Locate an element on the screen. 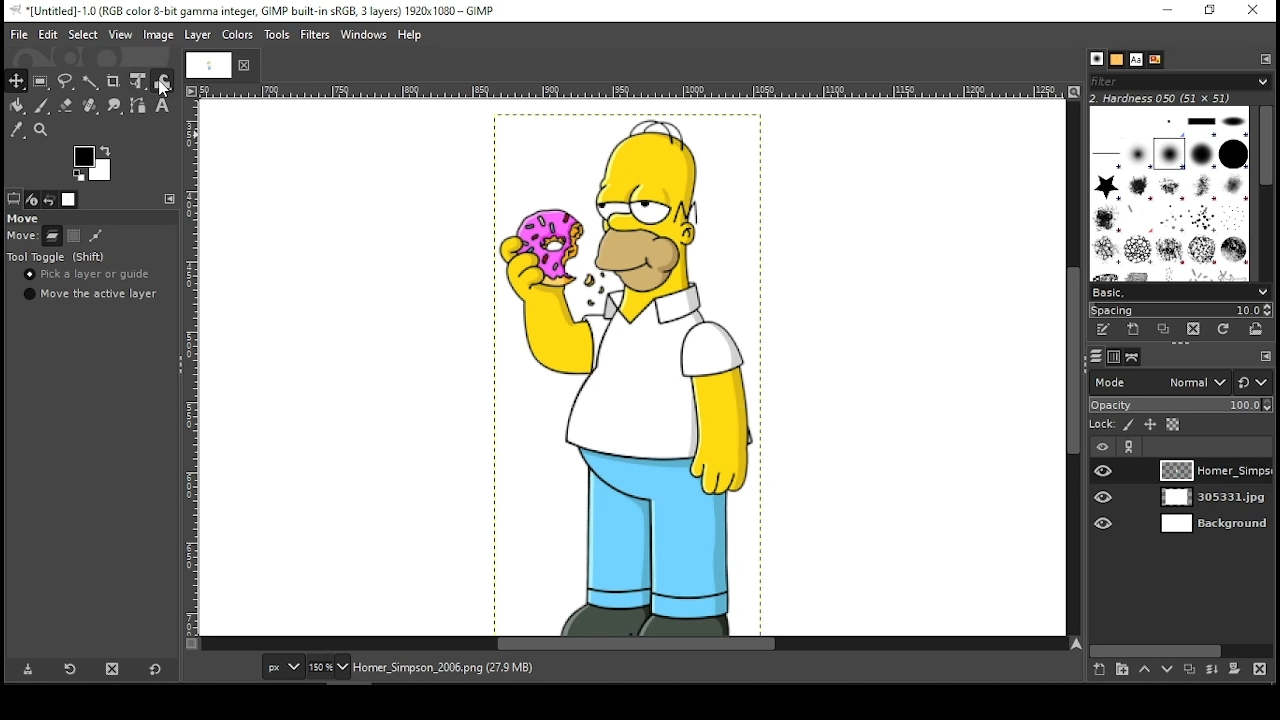 The image size is (1280, 720). homer_simpson_2006.png (27.9 mb) is located at coordinates (457, 669).